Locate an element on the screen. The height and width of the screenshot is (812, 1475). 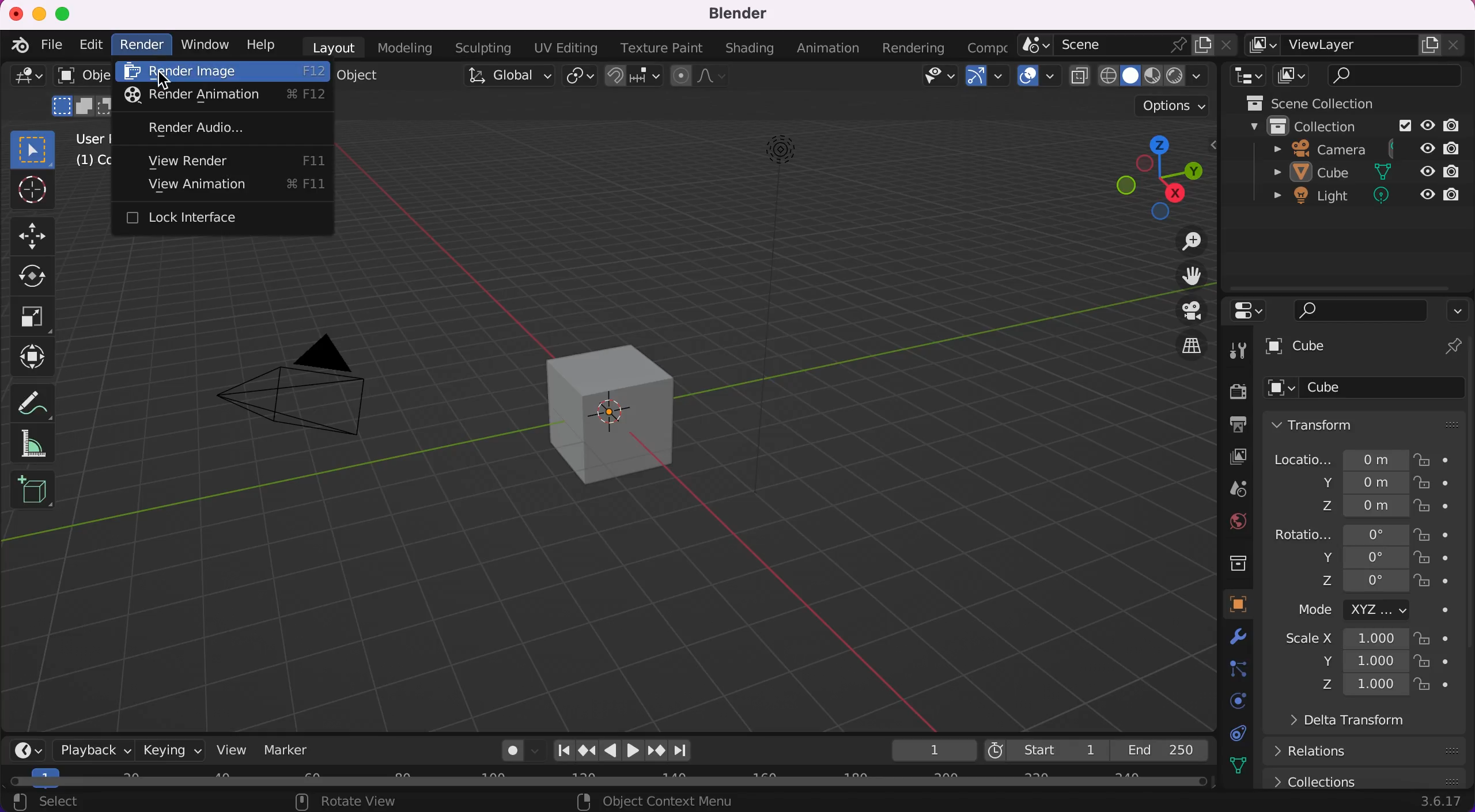
collections is located at coordinates (1228, 562).